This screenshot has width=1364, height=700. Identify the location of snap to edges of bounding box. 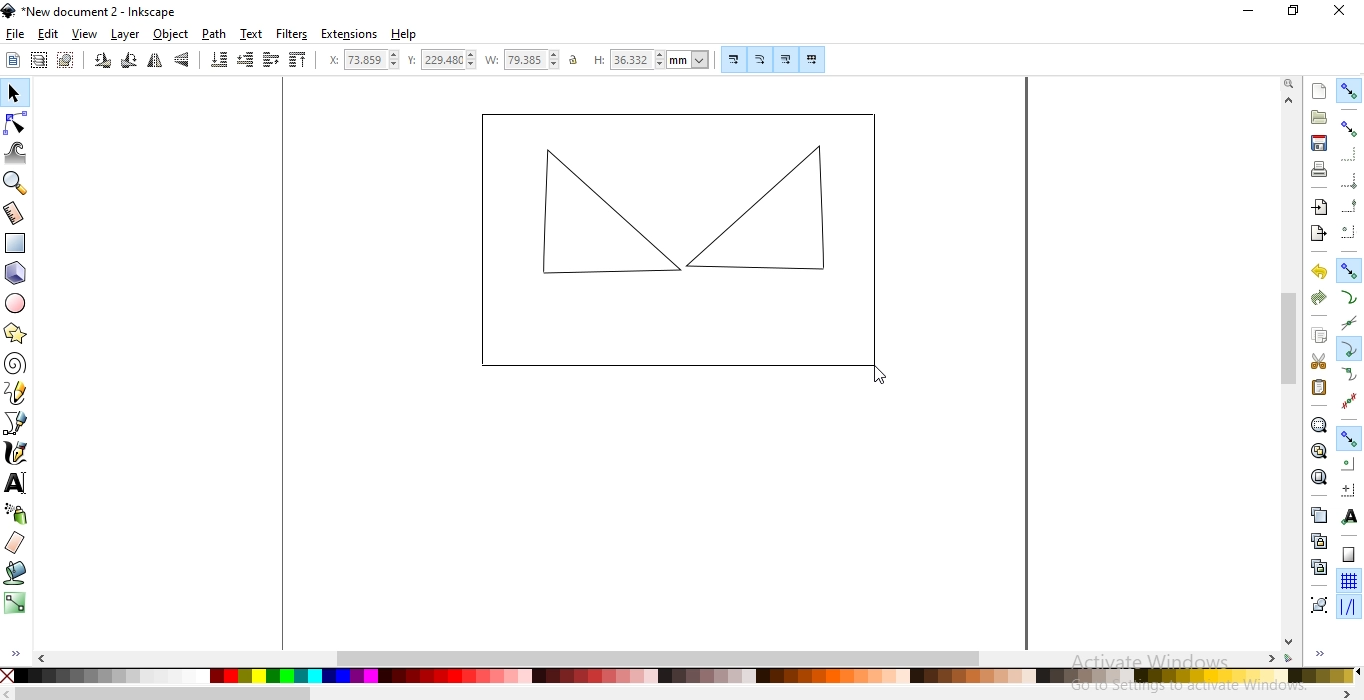
(1348, 152).